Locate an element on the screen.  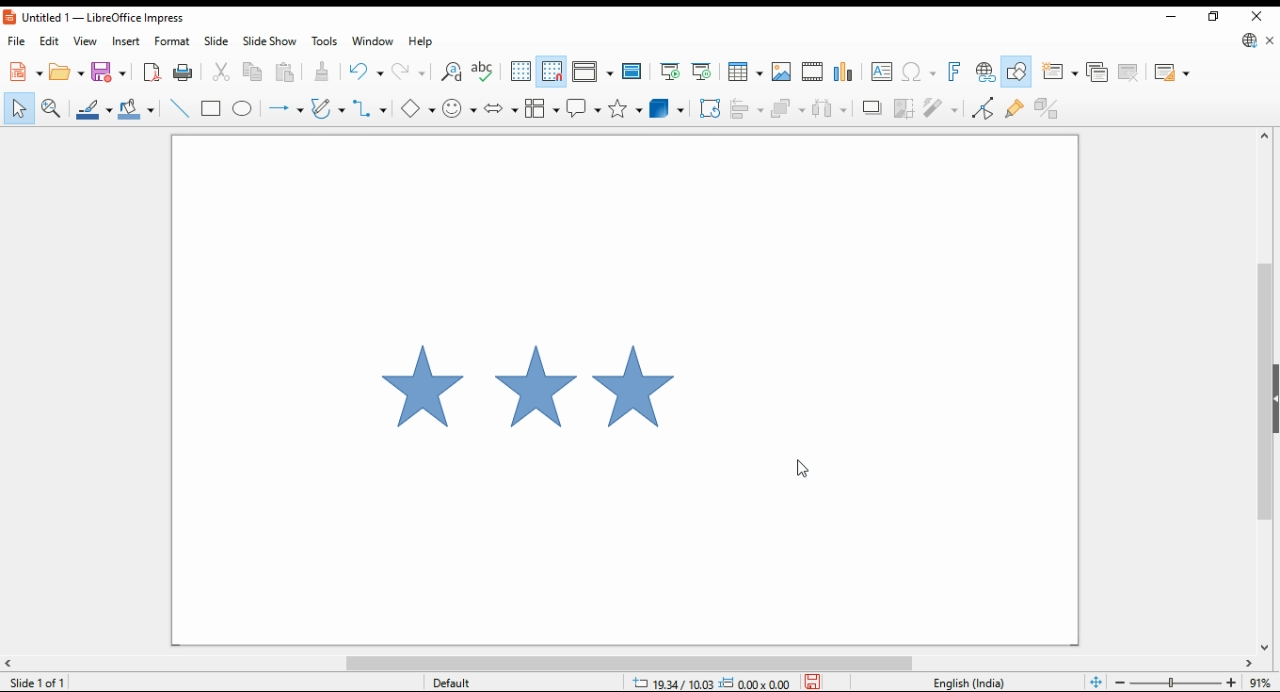
slide layout is located at coordinates (1173, 73).